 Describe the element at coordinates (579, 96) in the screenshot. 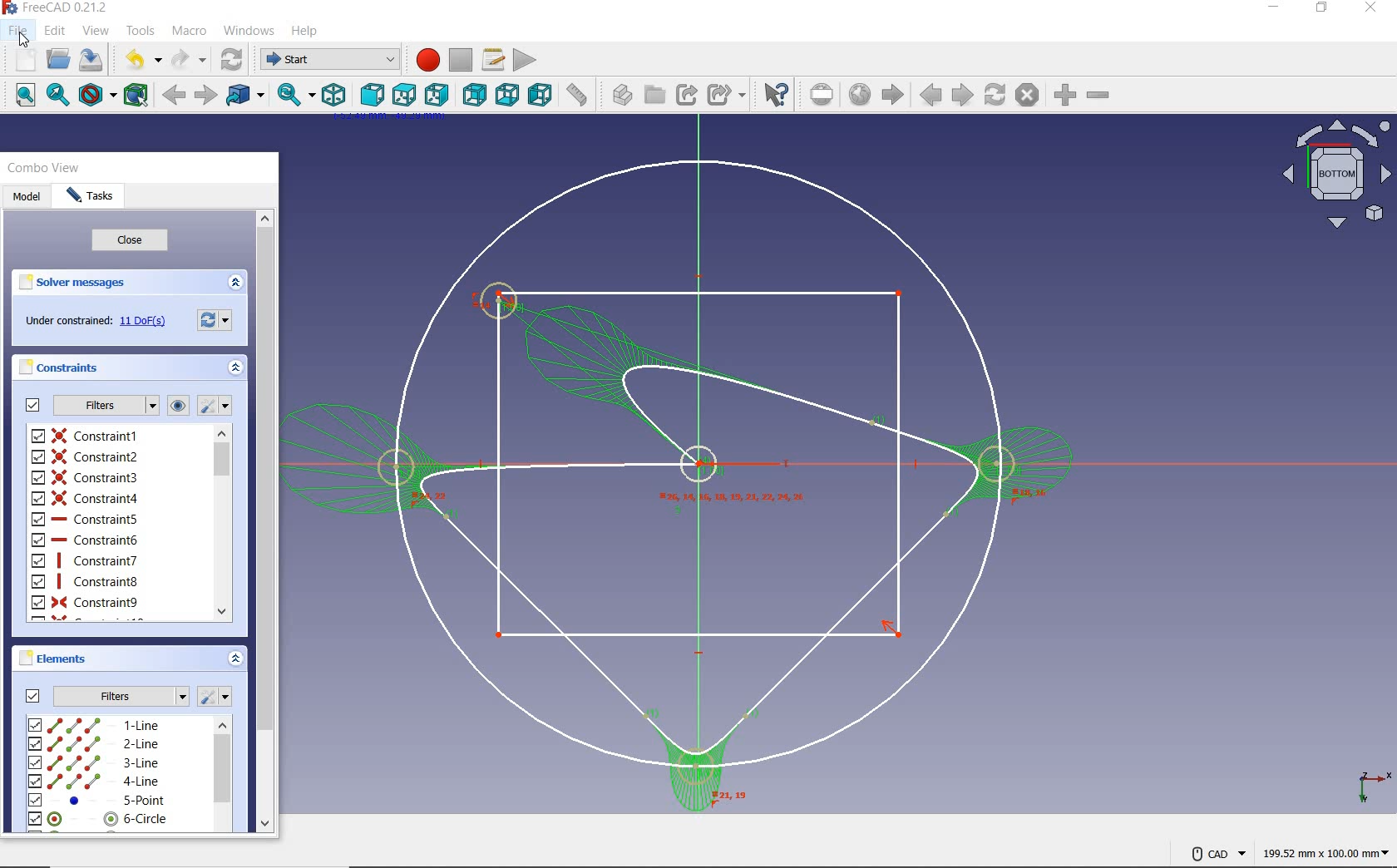

I see `measure distance` at that location.